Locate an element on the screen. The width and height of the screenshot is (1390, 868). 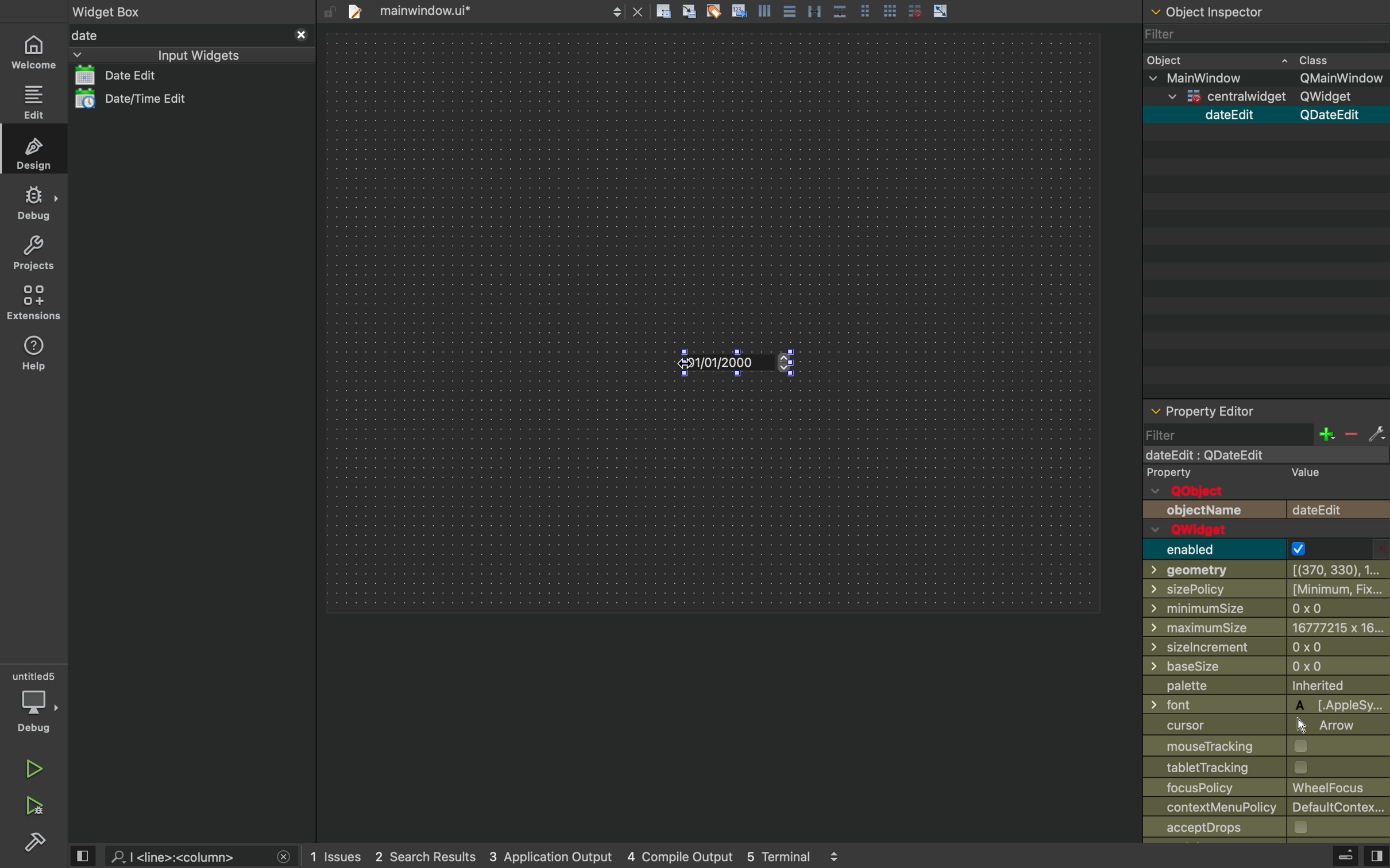
run is located at coordinates (34, 768).